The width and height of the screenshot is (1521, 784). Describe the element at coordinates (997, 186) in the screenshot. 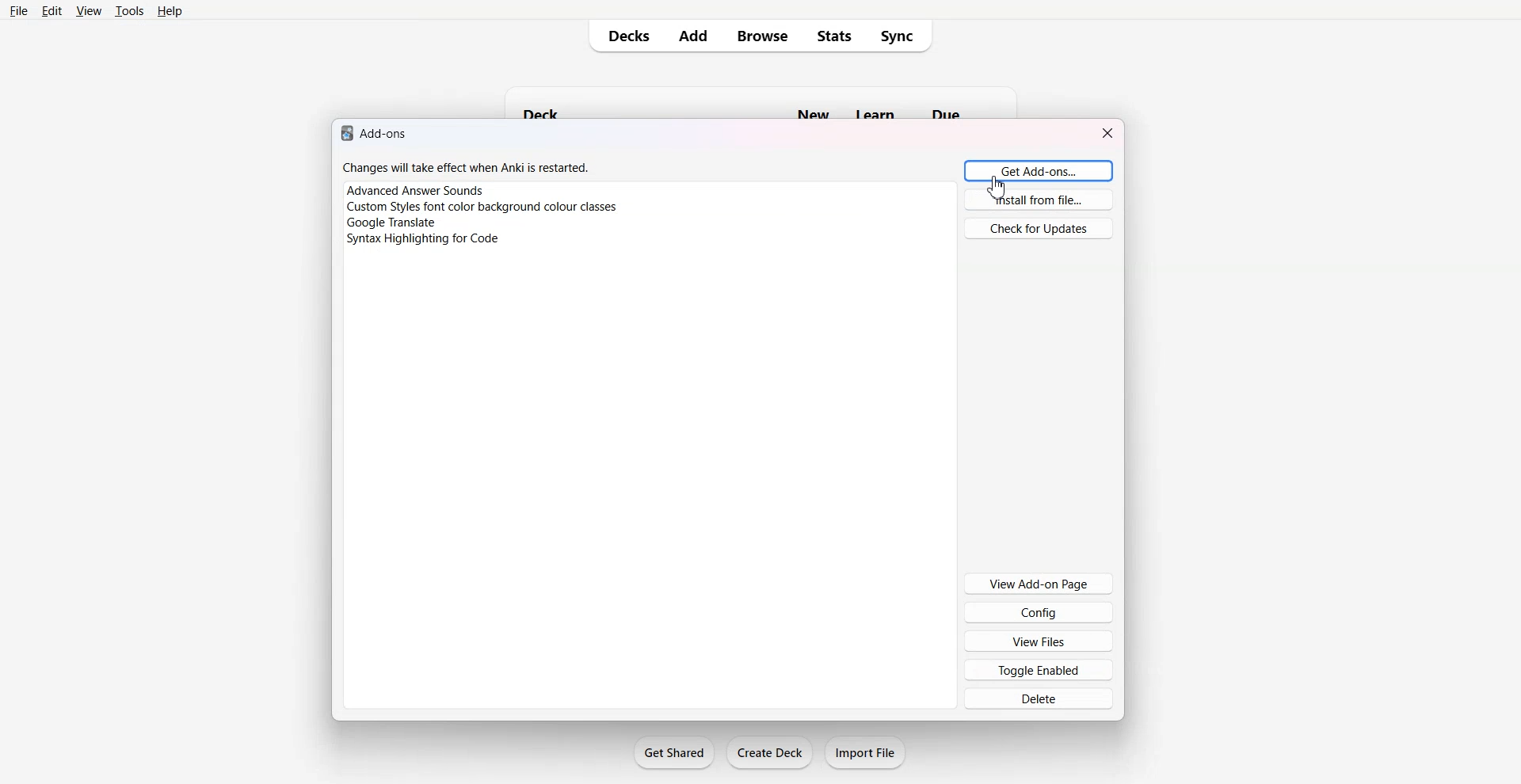

I see `cursor` at that location.